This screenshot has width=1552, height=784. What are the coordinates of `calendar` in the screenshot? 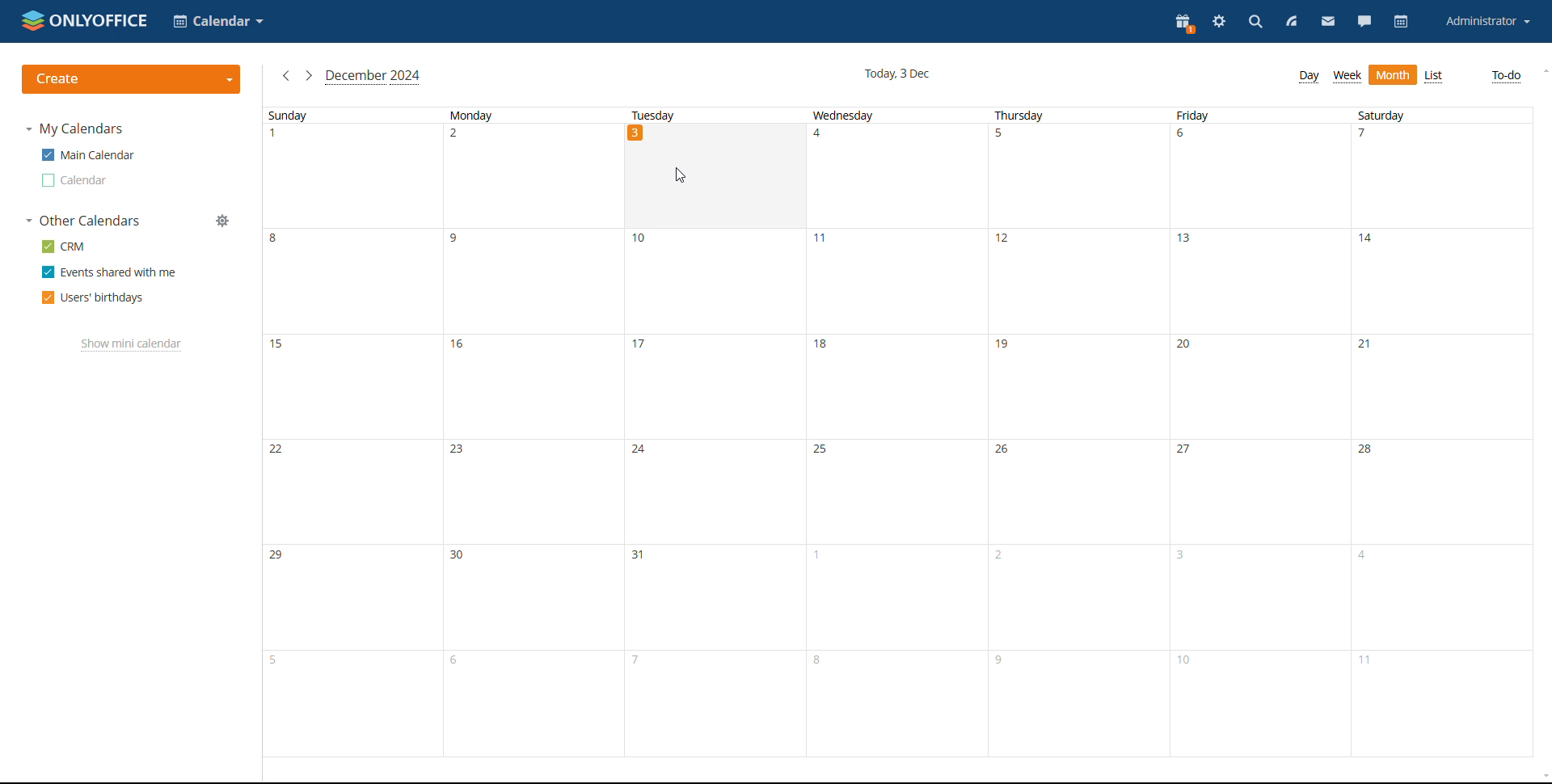 It's located at (1401, 23).